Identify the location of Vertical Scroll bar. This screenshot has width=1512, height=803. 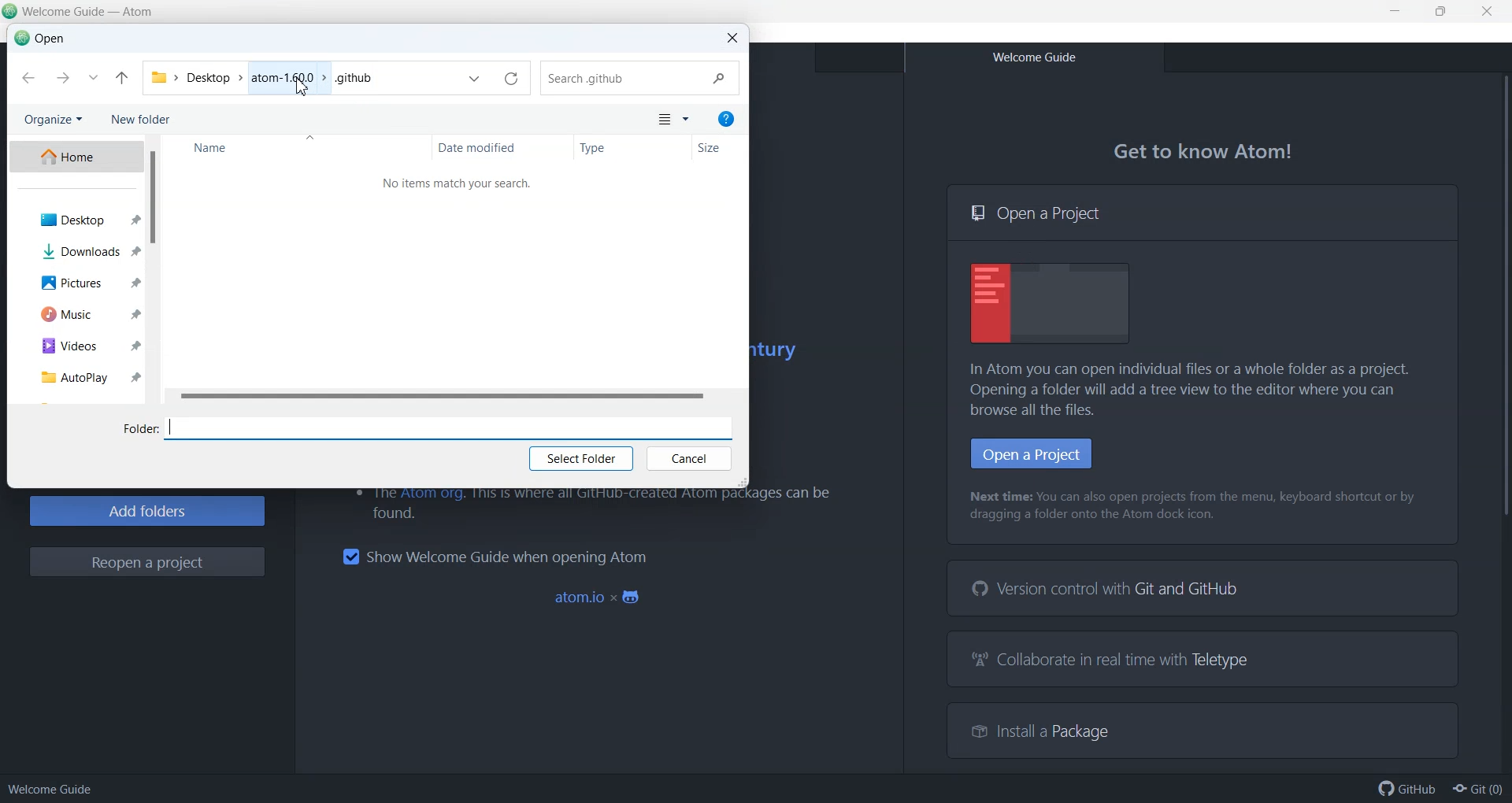
(152, 269).